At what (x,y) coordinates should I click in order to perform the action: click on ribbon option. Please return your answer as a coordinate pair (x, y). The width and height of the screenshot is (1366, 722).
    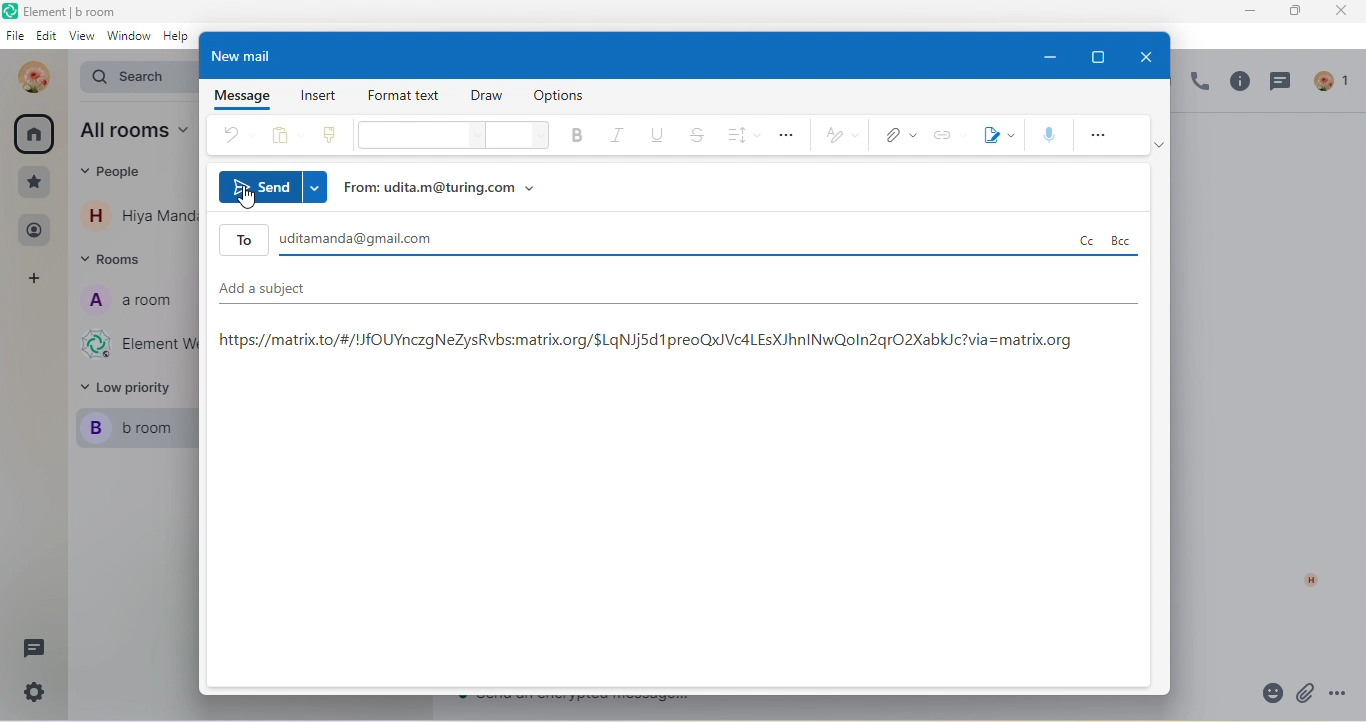
    Looking at the image, I should click on (1162, 151).